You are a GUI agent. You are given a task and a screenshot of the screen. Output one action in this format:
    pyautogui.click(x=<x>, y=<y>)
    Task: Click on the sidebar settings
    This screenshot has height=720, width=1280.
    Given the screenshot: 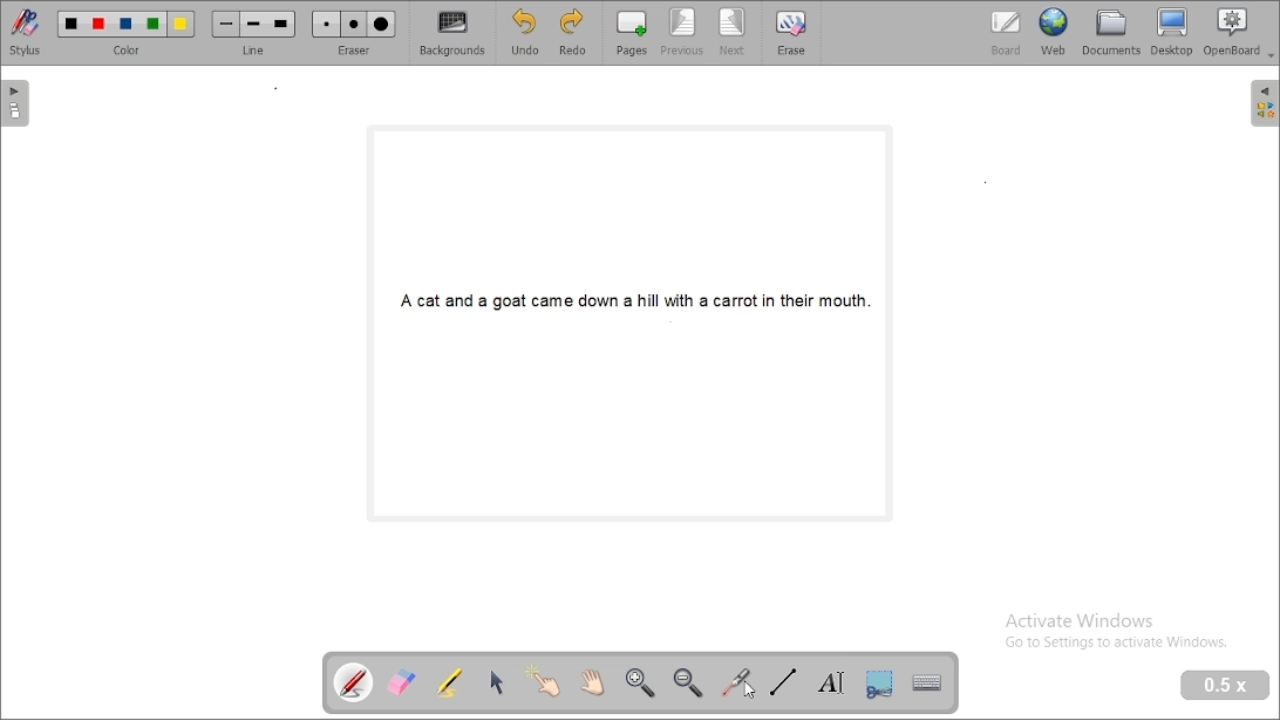 What is the action you would take?
    pyautogui.click(x=1263, y=104)
    